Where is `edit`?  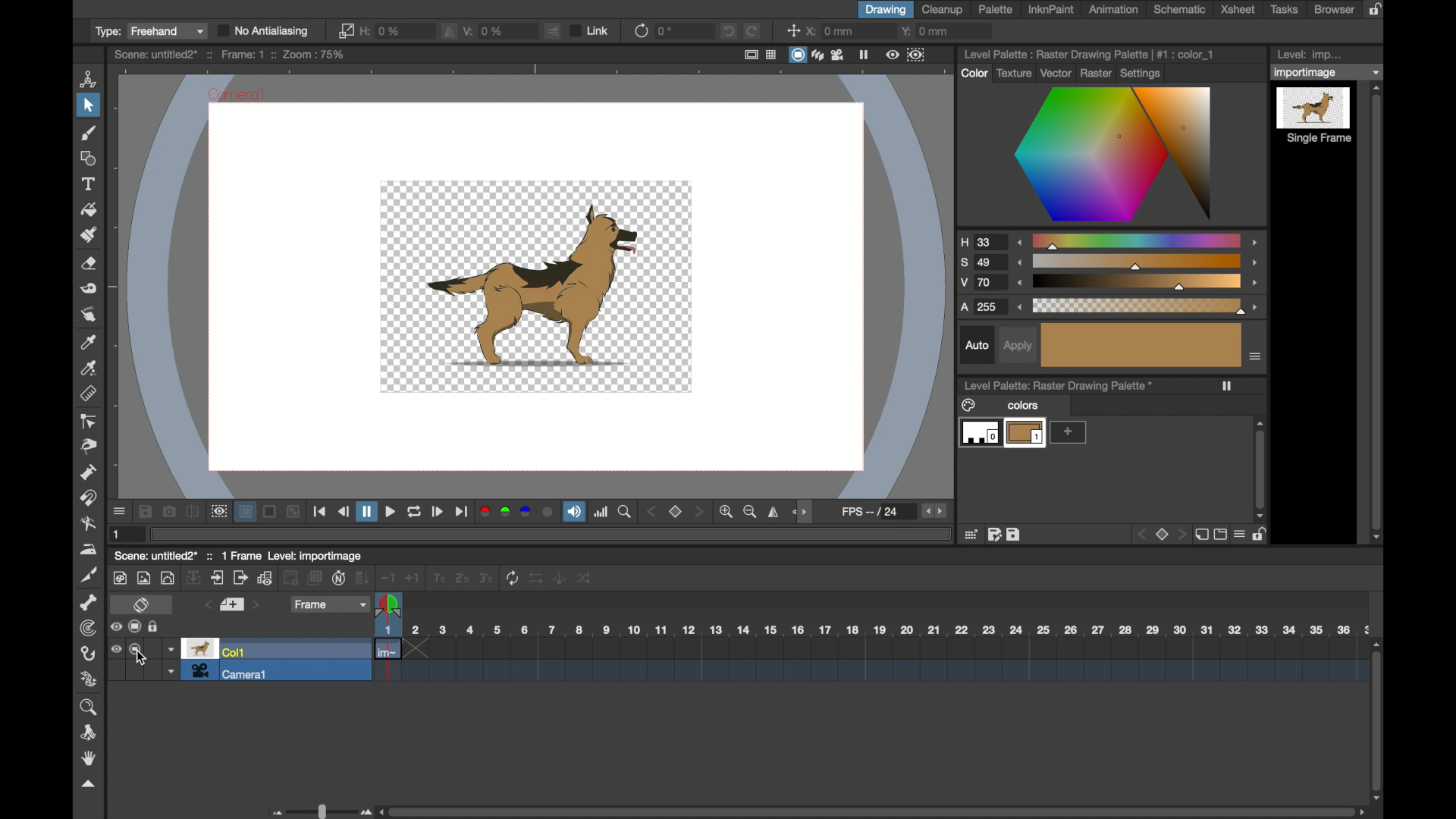
edit is located at coordinates (993, 534).